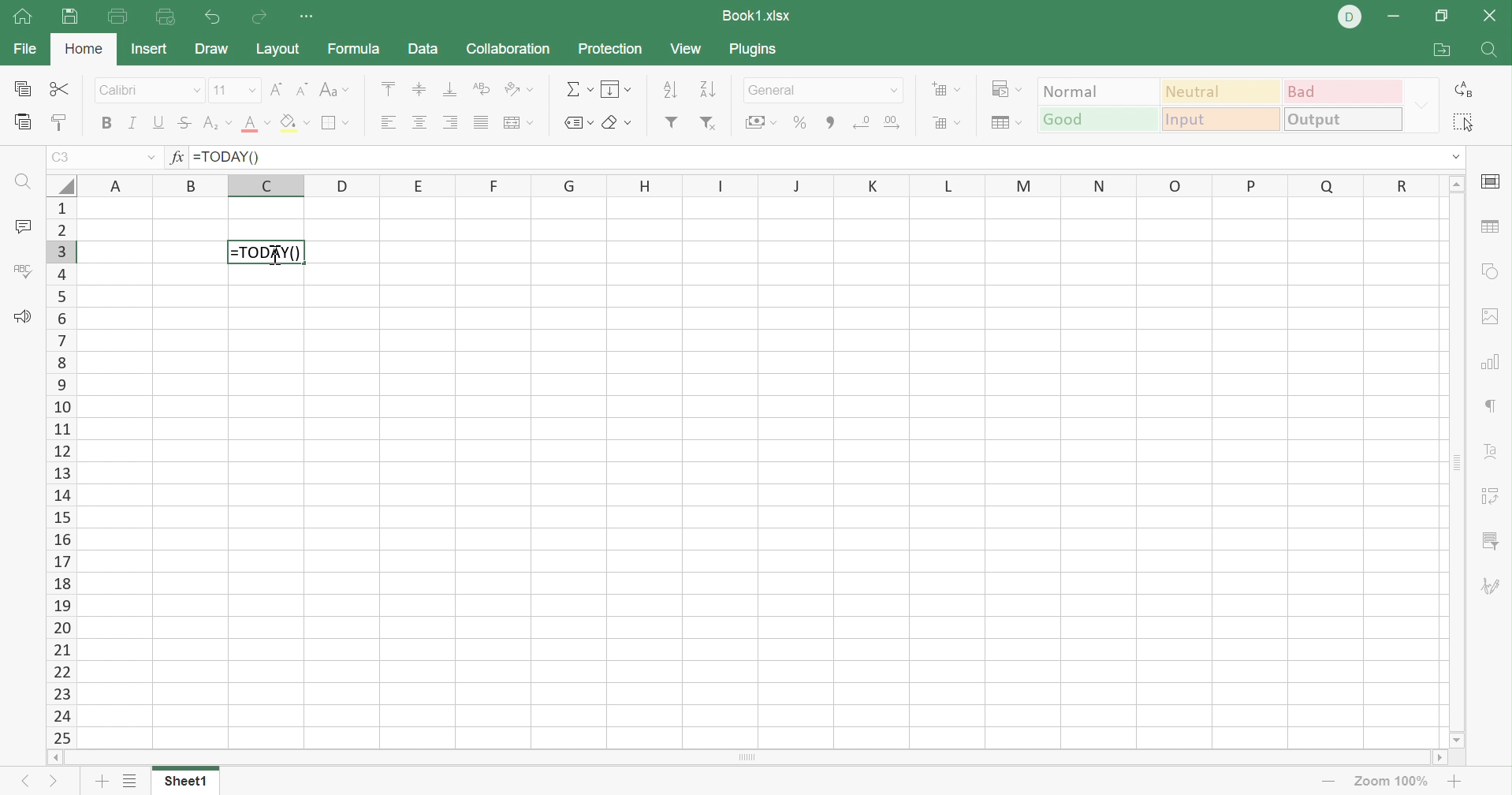  Describe the element at coordinates (758, 14) in the screenshot. I see `Book1.xlsx` at that location.